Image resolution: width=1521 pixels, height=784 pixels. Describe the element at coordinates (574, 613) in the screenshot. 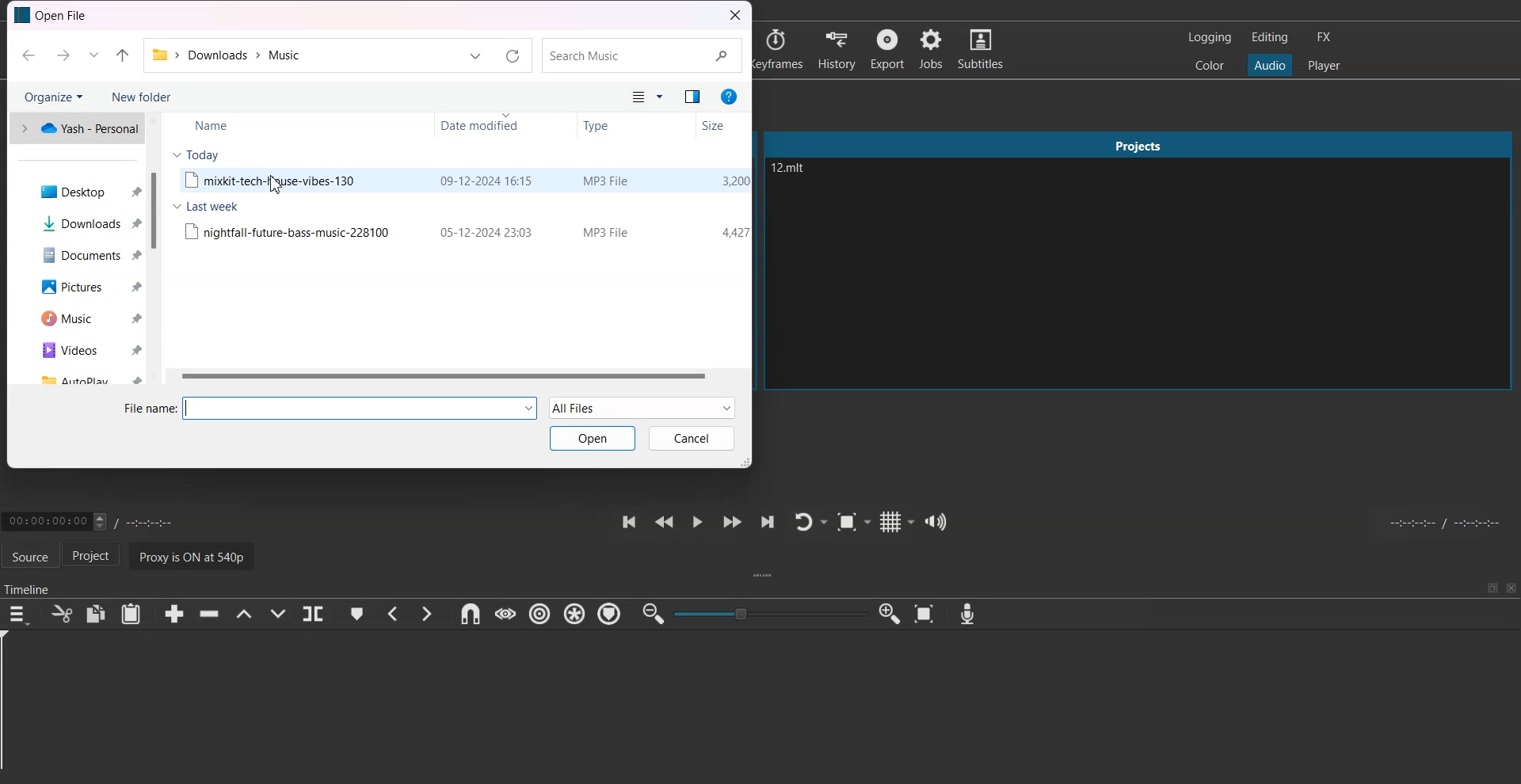

I see `Ripple all track` at that location.